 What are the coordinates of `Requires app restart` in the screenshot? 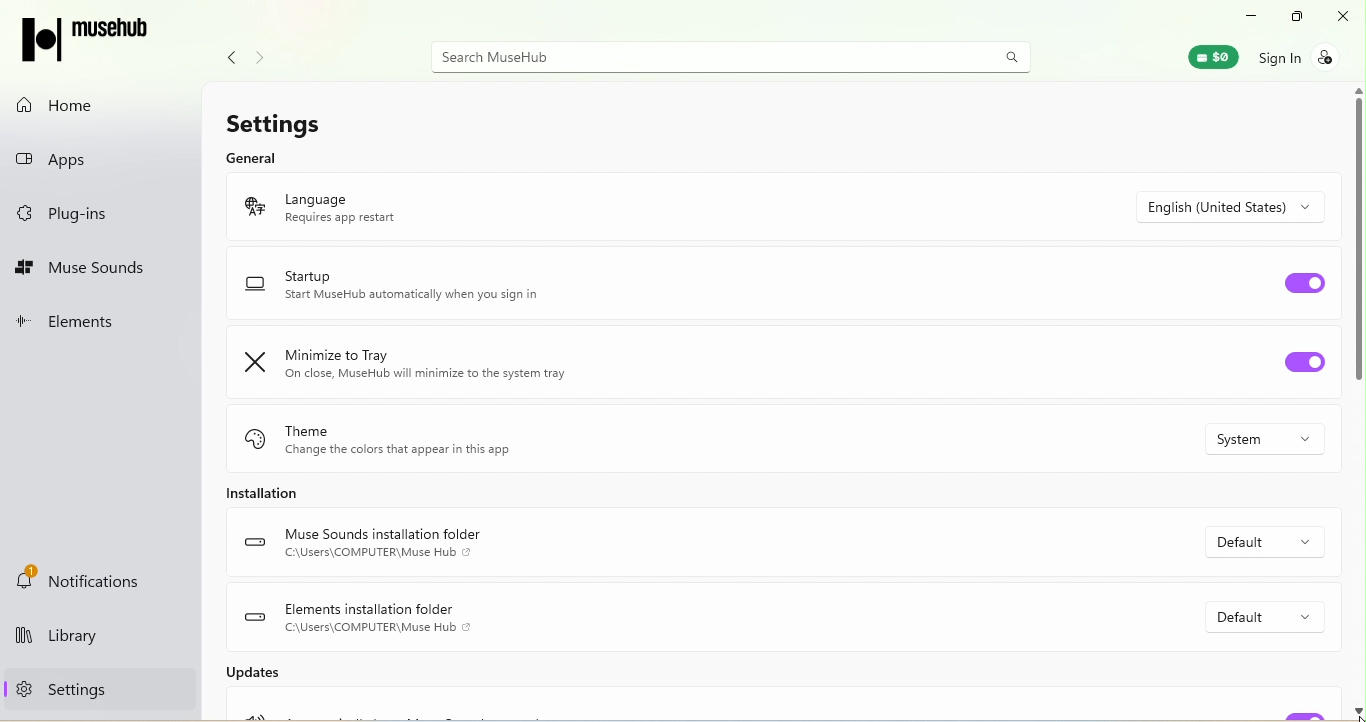 It's located at (338, 219).